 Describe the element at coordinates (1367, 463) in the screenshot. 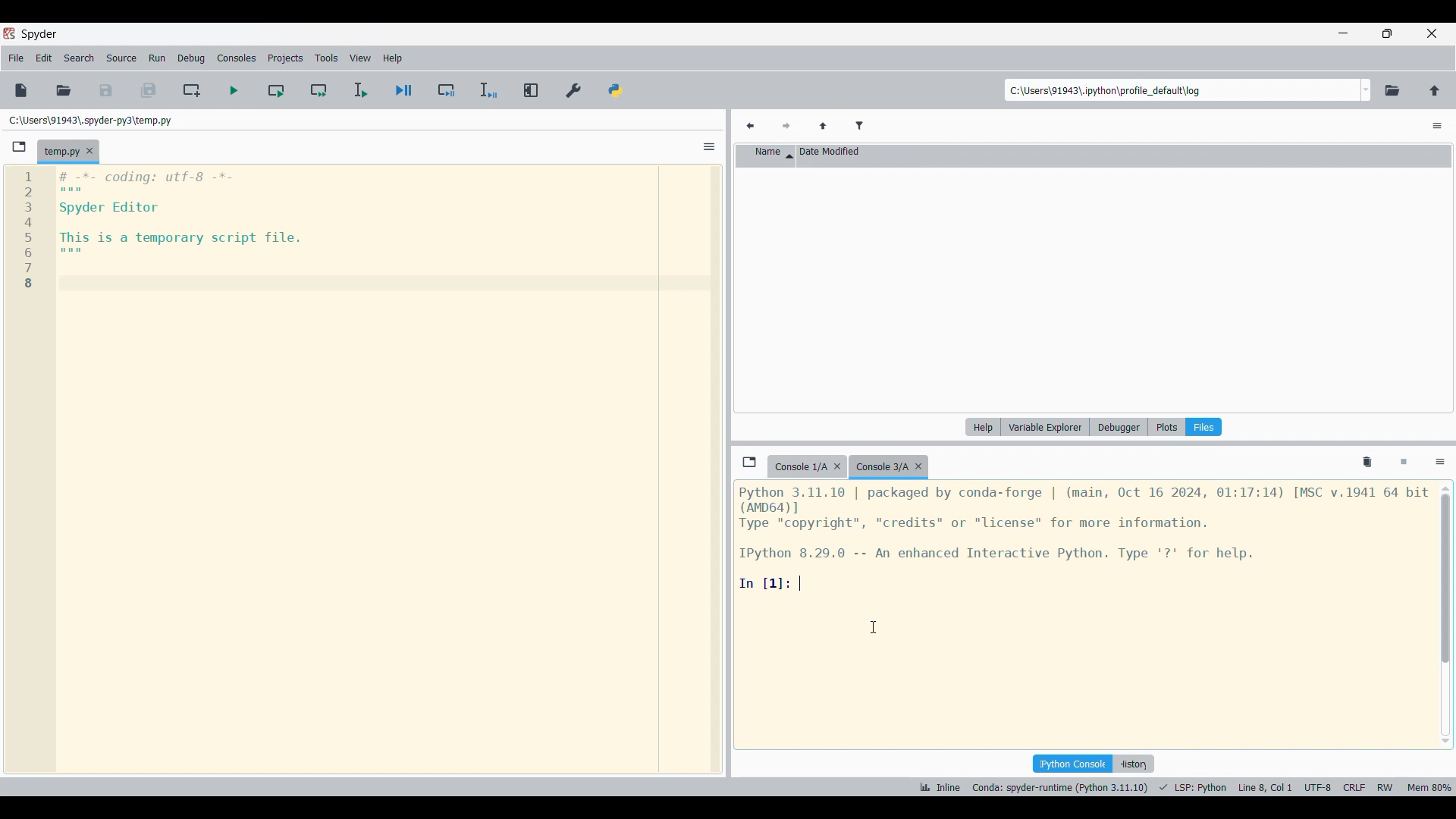

I see `Remove all variables from namespace` at that location.